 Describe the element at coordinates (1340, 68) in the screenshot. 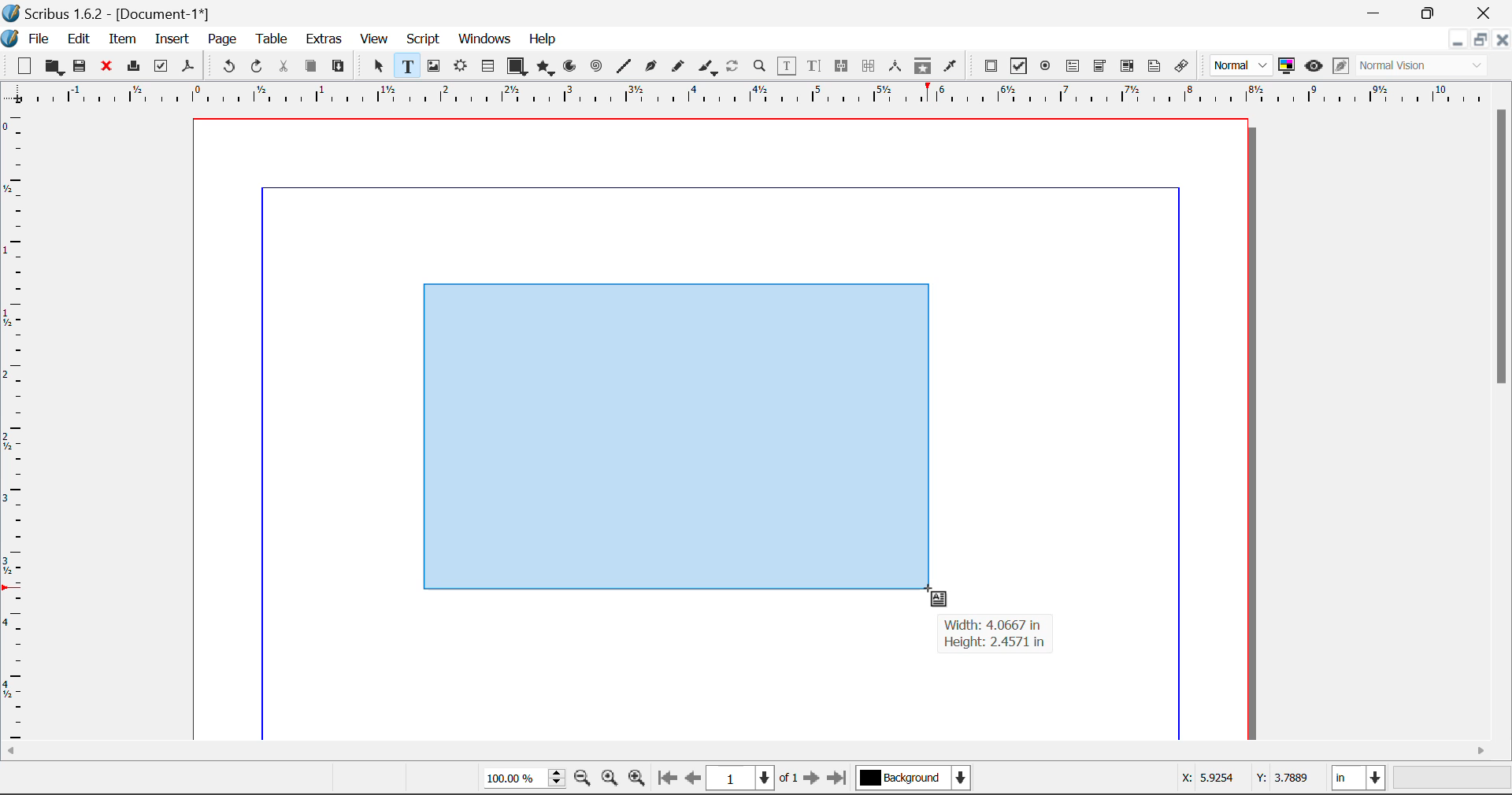

I see `Edit in Preview Mode` at that location.